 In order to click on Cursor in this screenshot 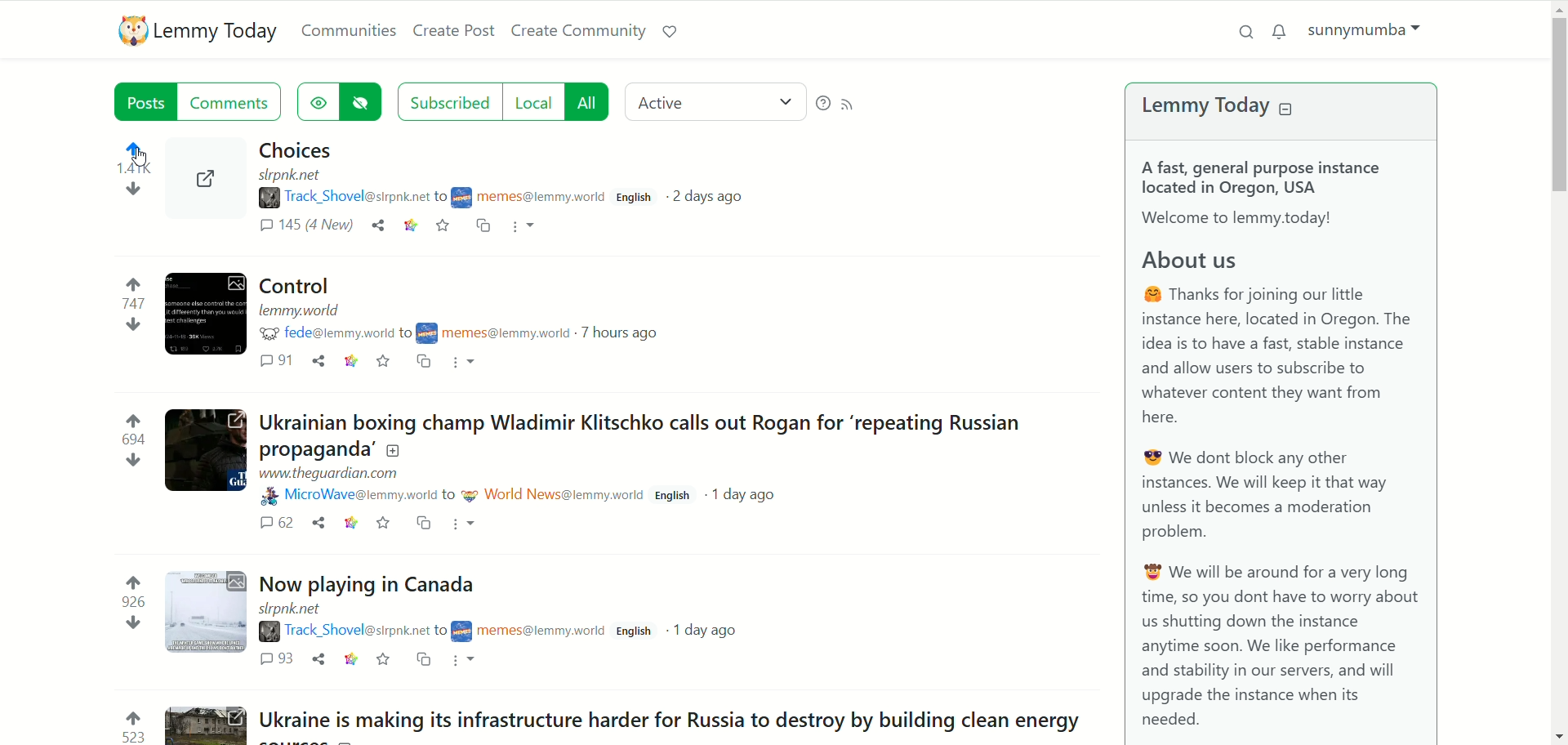, I will do `click(157, 152)`.